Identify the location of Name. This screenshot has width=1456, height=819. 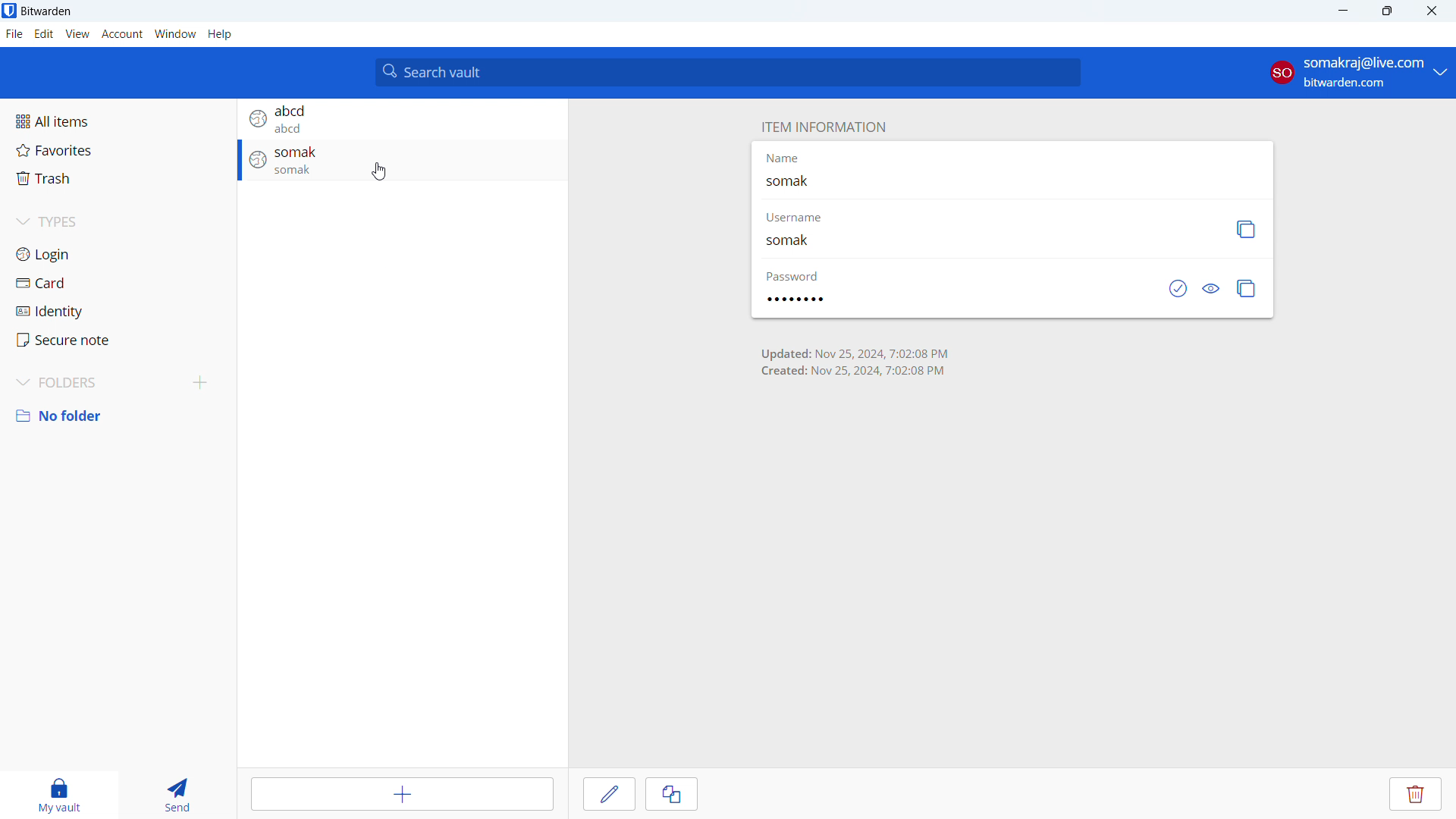
(783, 157).